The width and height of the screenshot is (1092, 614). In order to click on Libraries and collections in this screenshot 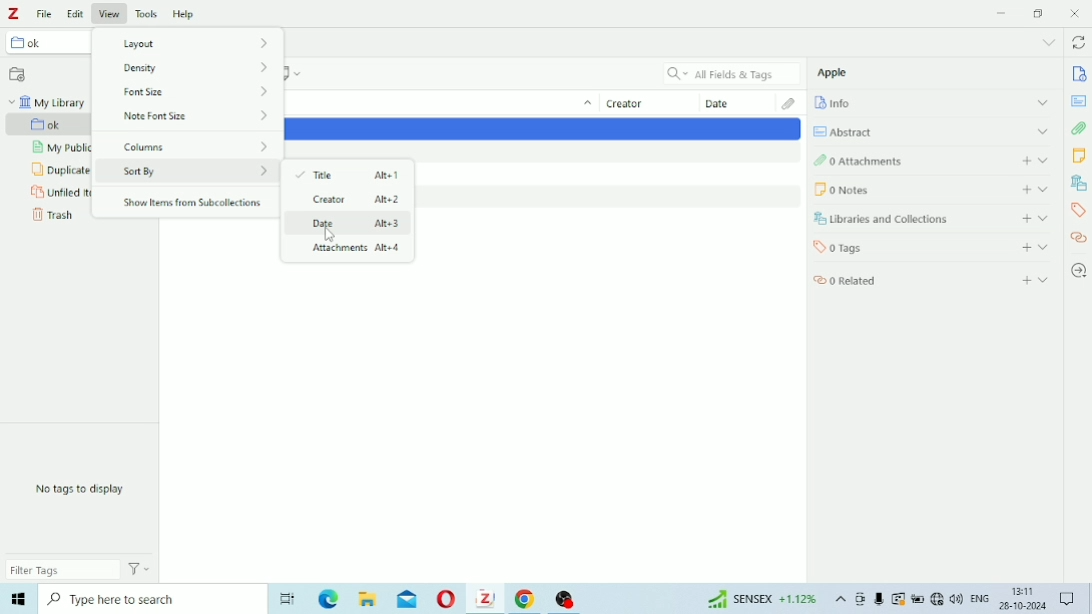, I will do `click(892, 220)`.